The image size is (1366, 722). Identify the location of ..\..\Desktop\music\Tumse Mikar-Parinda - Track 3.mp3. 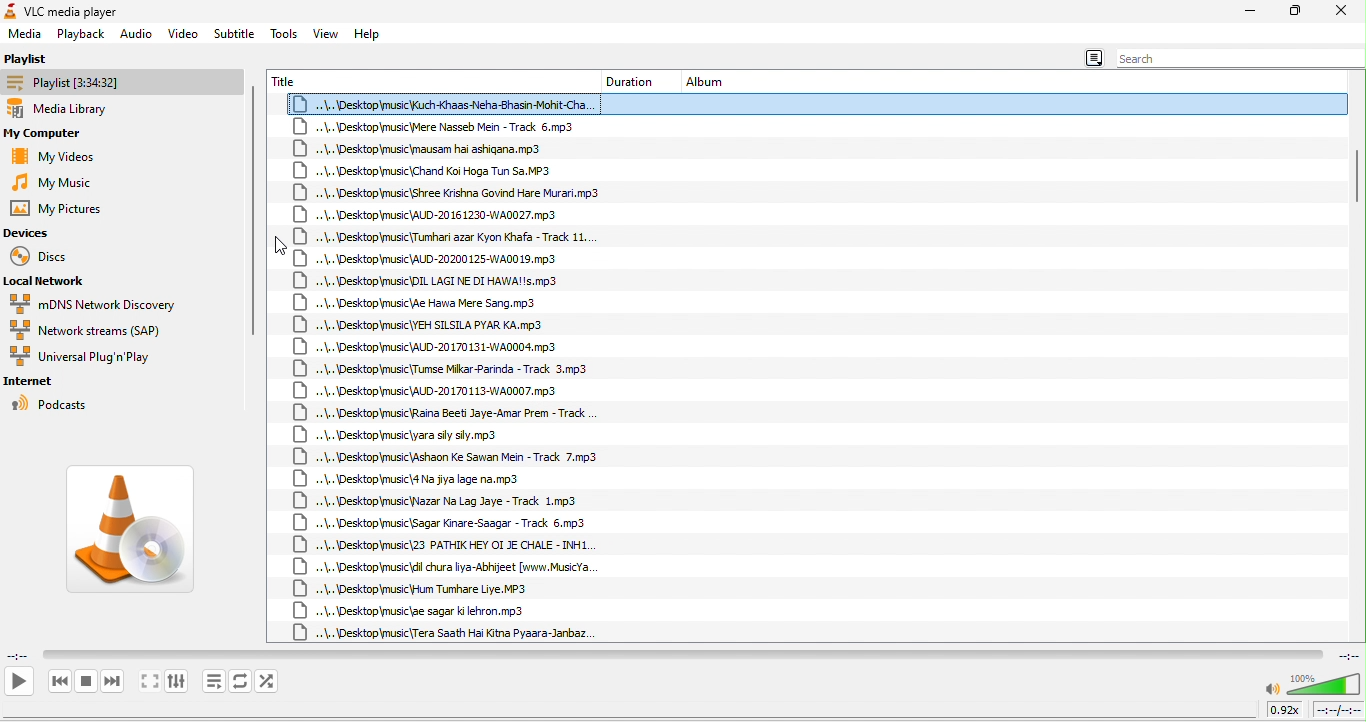
(446, 368).